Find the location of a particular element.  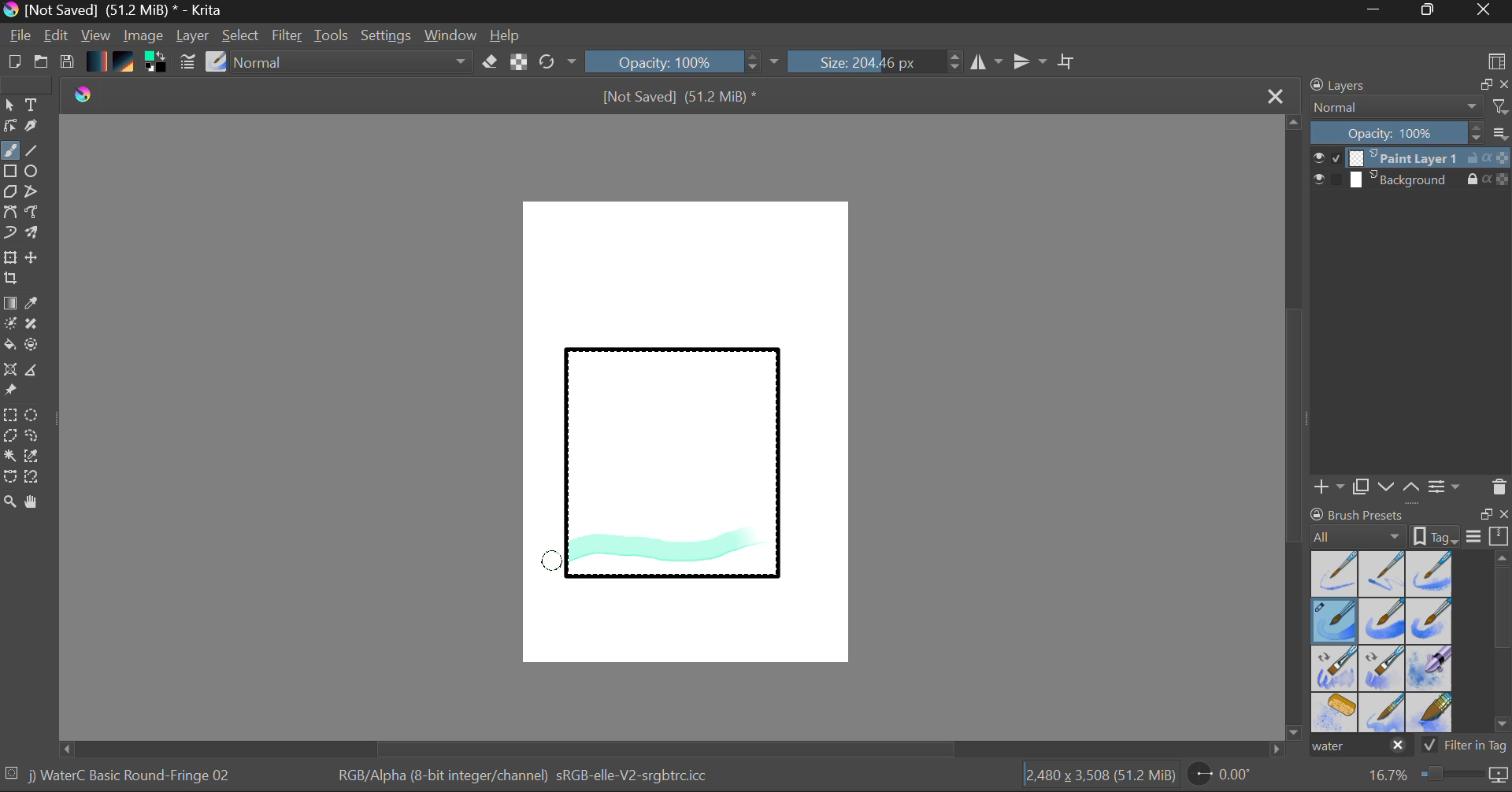

Filter in Tag Option is located at coordinates (1466, 747).